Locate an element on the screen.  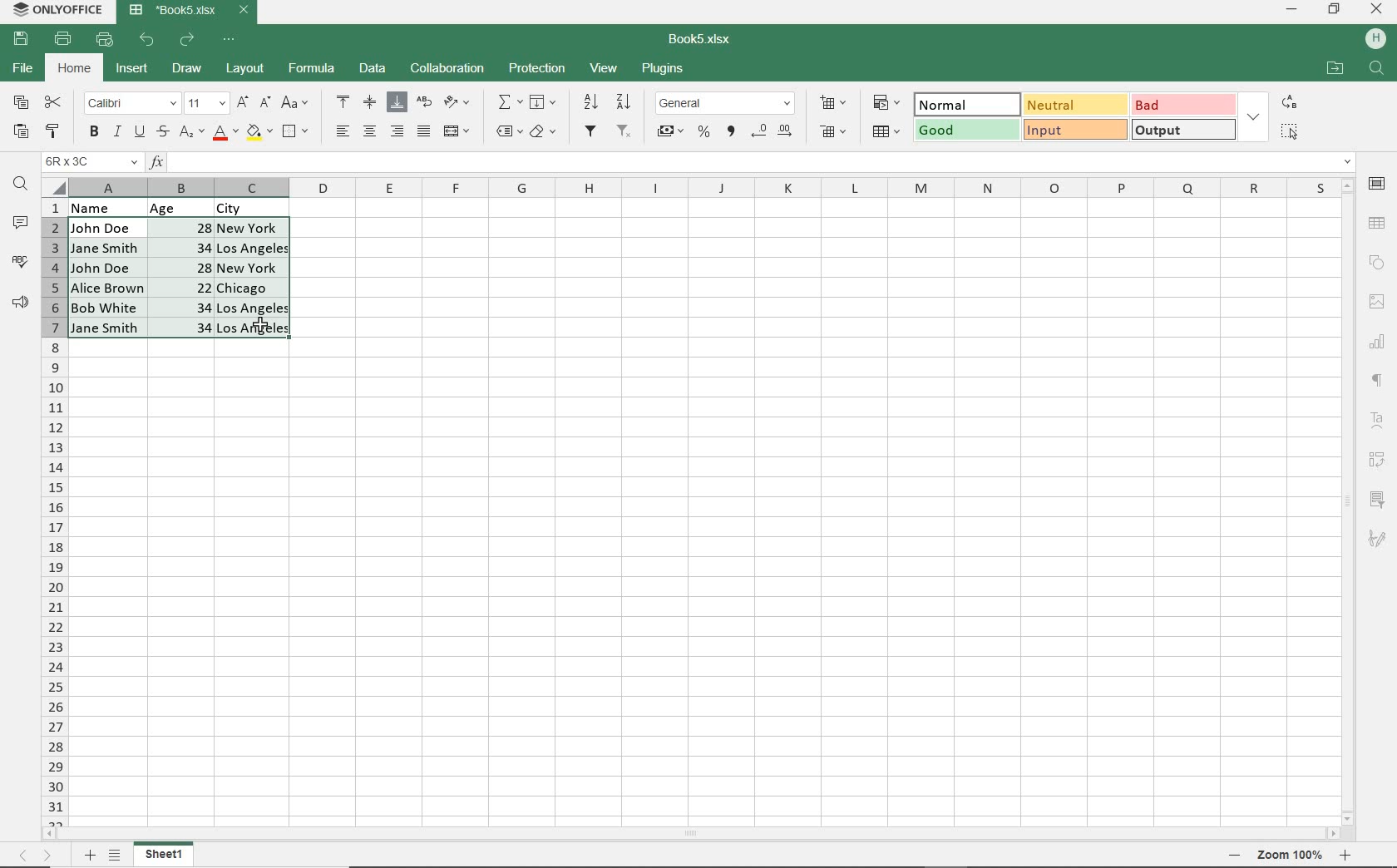
Zoom in or Zoom our is located at coordinates (1295, 855).